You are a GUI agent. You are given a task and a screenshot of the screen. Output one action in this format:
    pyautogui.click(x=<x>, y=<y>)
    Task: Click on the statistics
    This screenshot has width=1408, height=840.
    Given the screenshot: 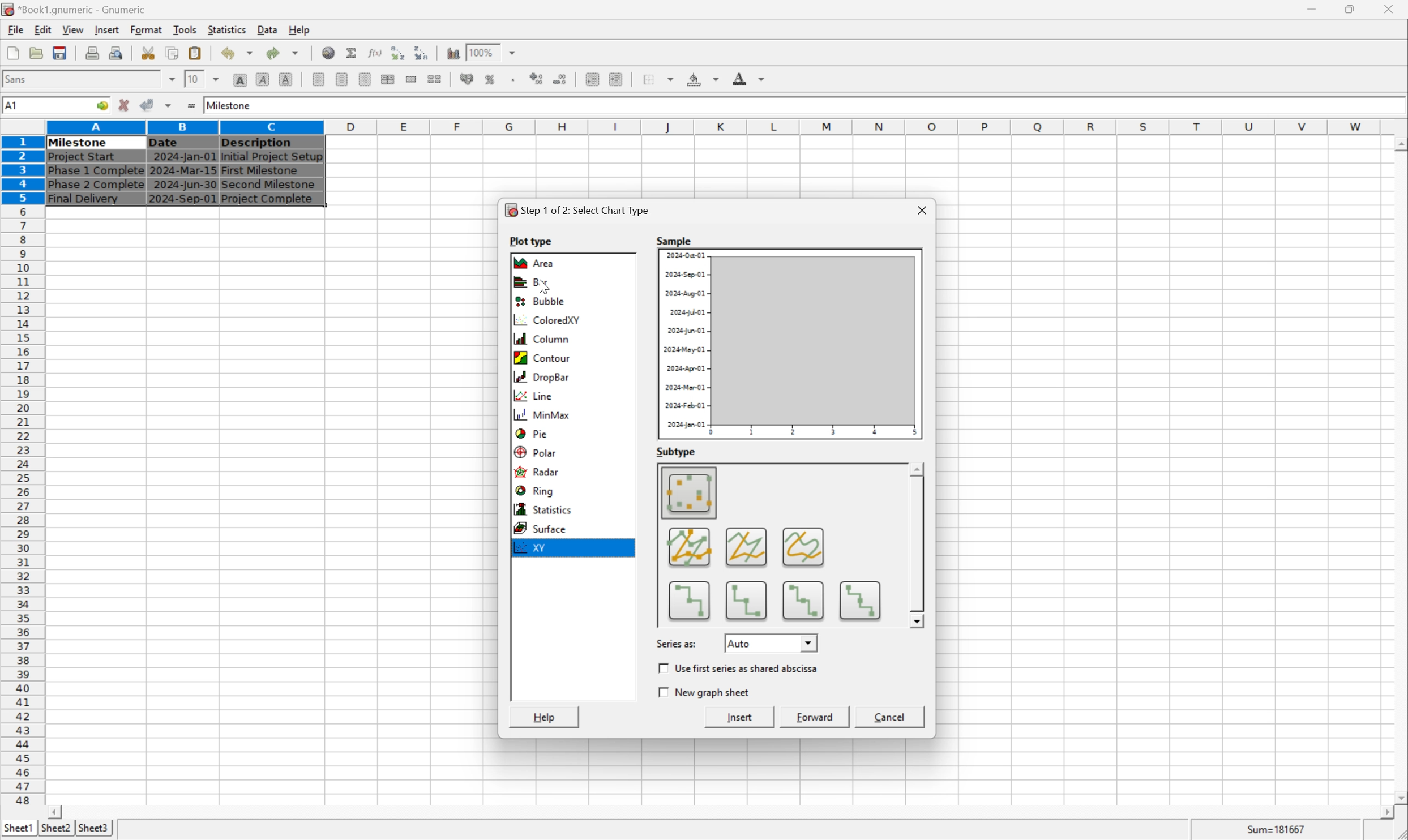 What is the action you would take?
    pyautogui.click(x=545, y=509)
    